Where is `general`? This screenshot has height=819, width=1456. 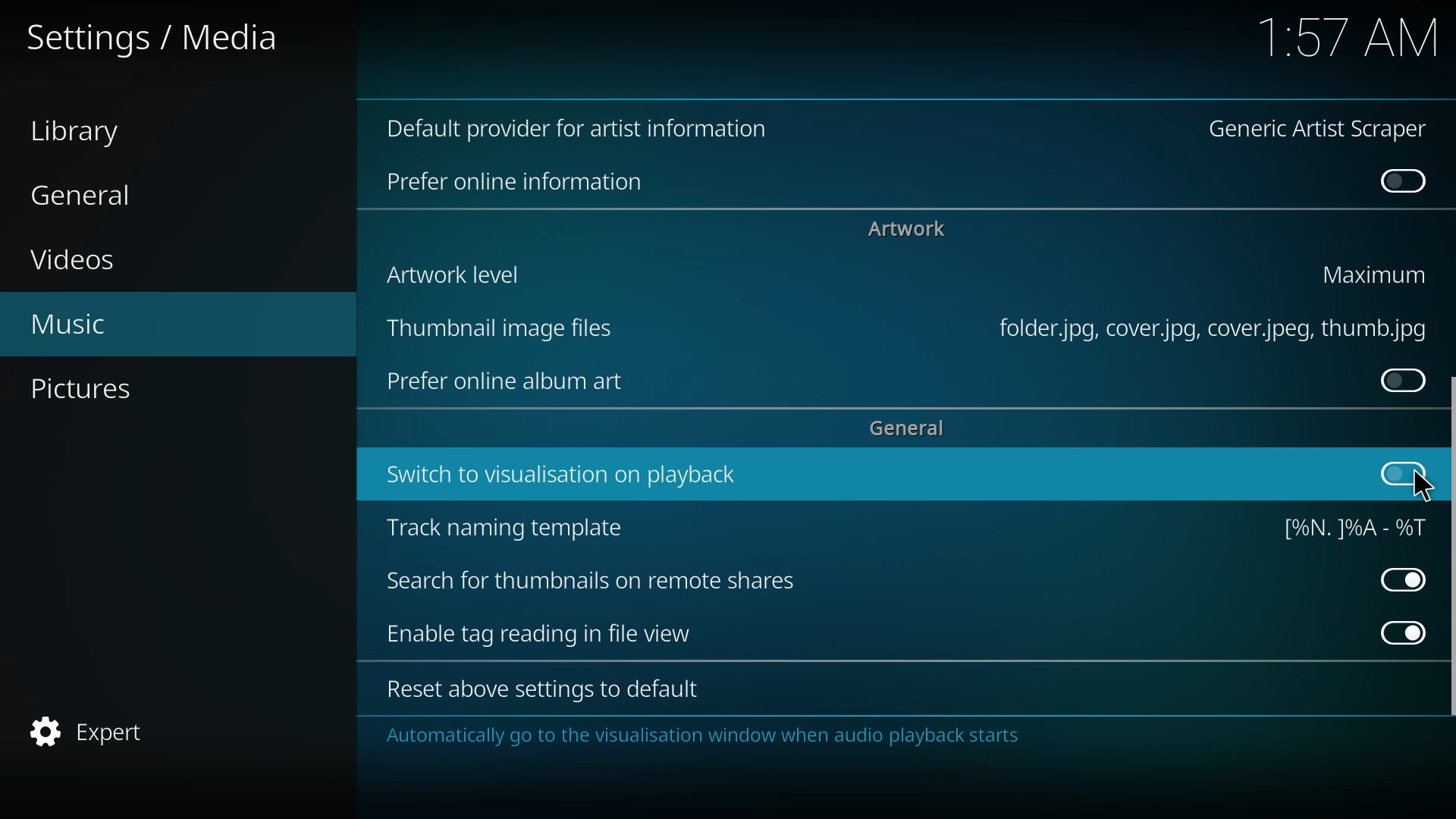 general is located at coordinates (906, 429).